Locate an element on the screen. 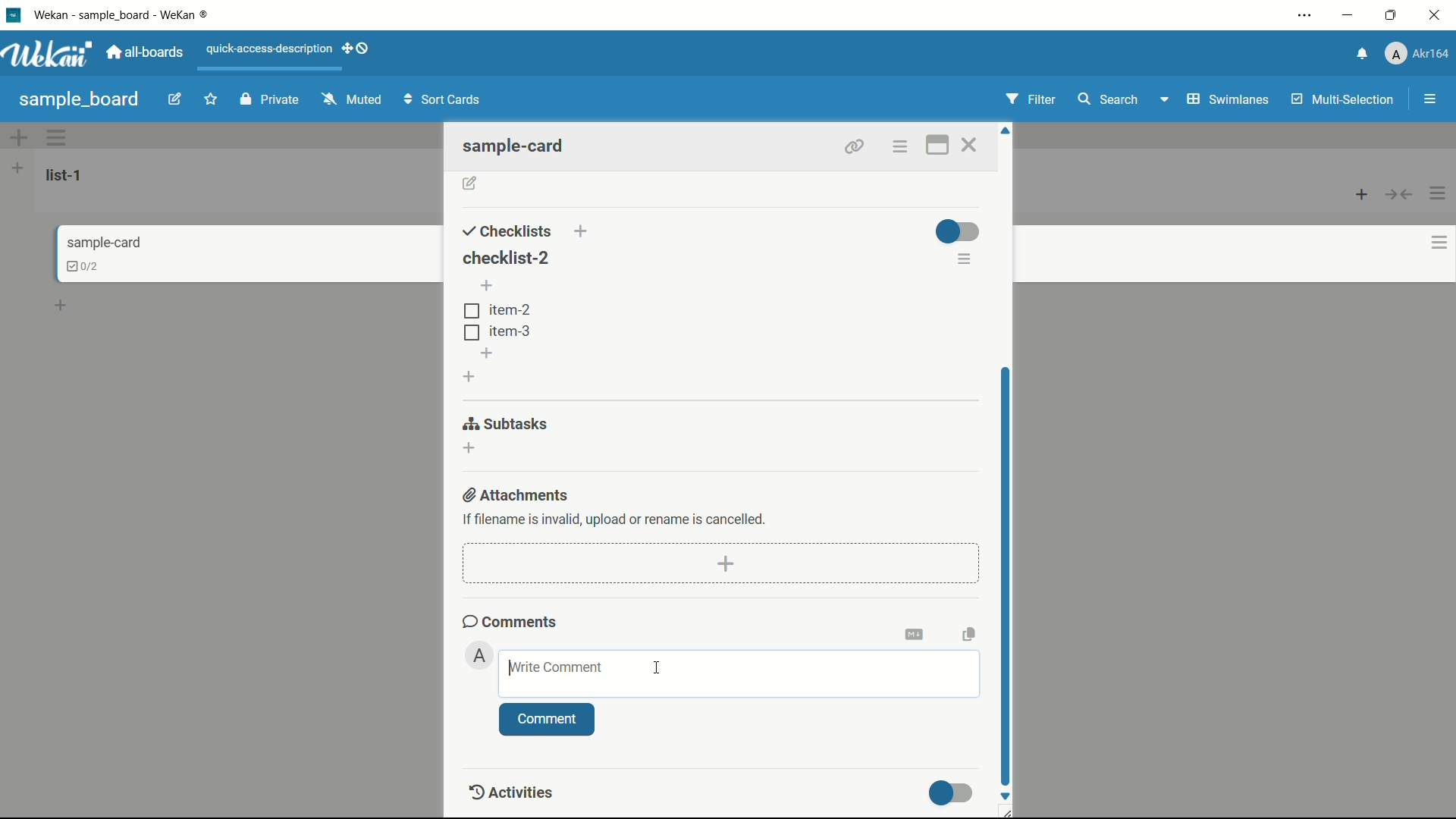 The width and height of the screenshot is (1456, 819). checklists is located at coordinates (507, 231).